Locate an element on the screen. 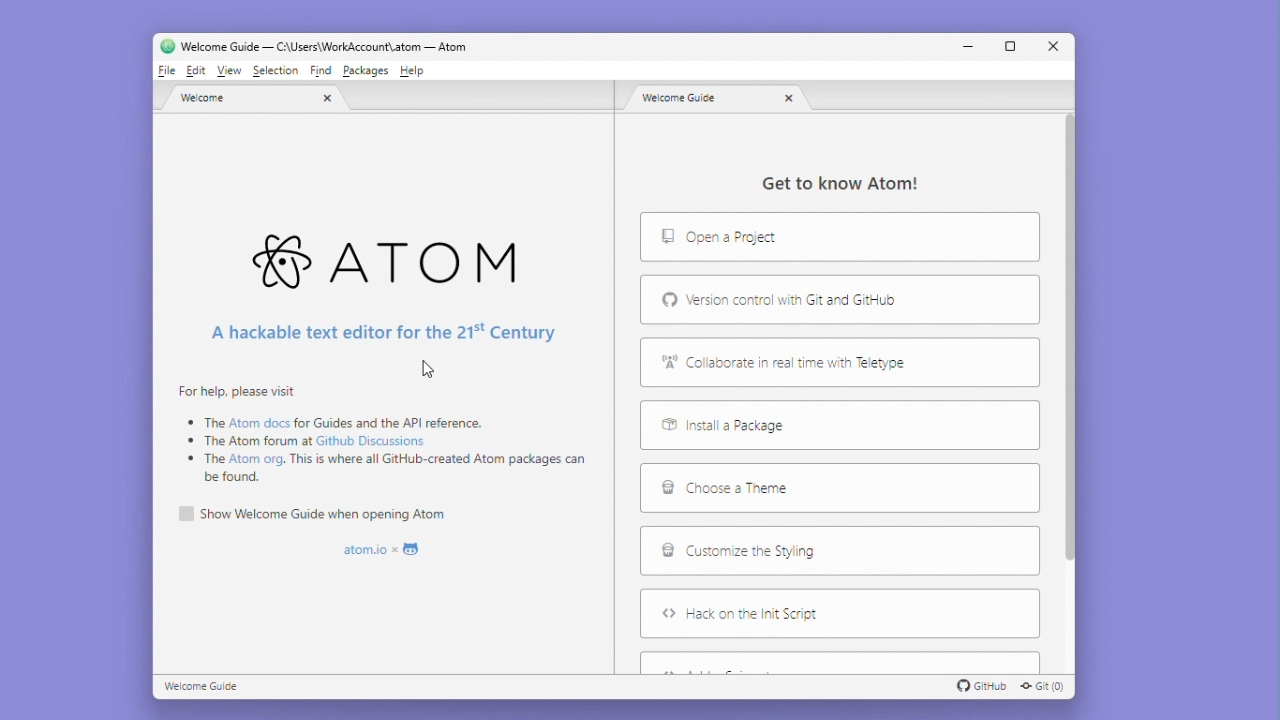  Vertical scroll bar is located at coordinates (1074, 365).